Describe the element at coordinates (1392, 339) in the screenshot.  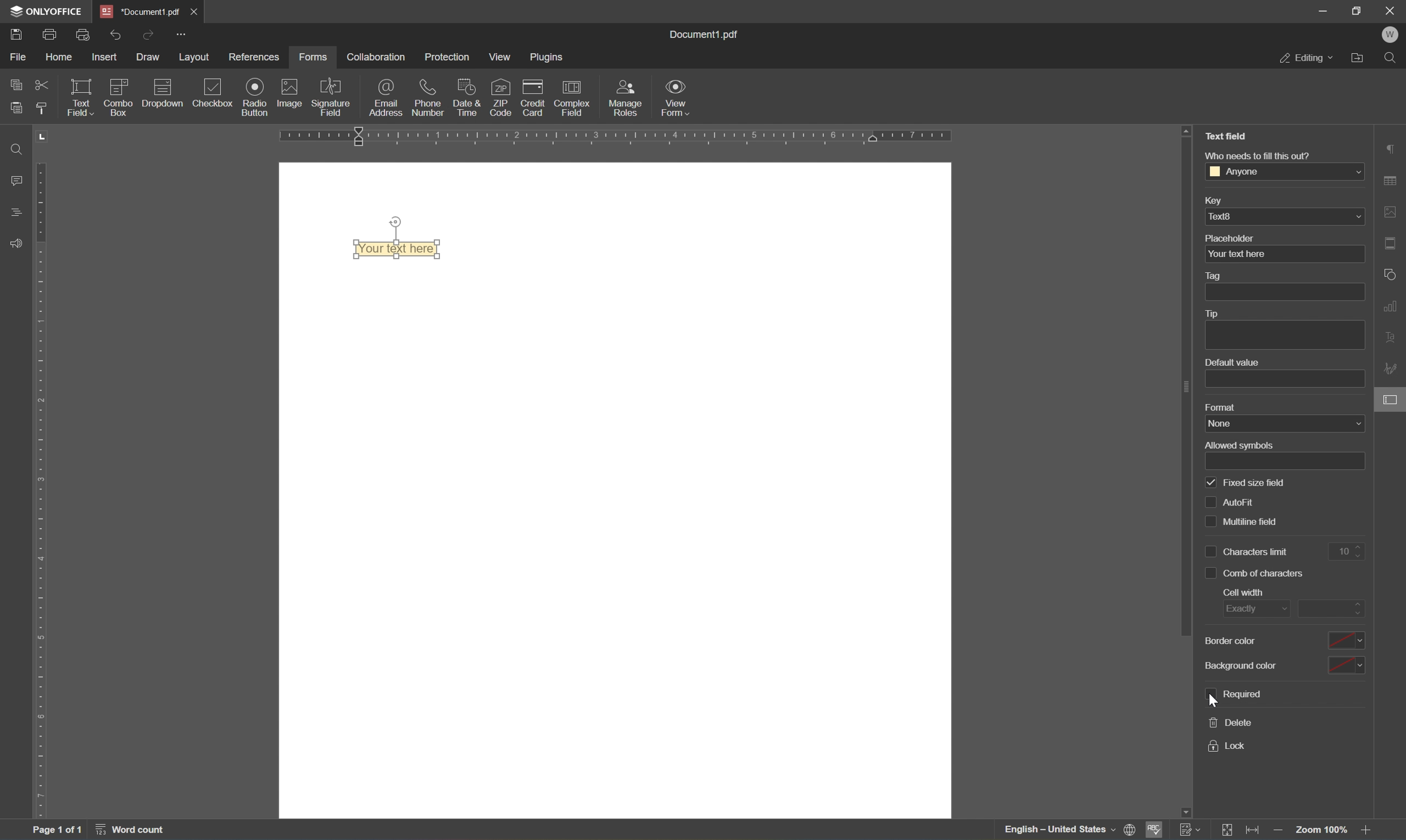
I see `text art settings` at that location.